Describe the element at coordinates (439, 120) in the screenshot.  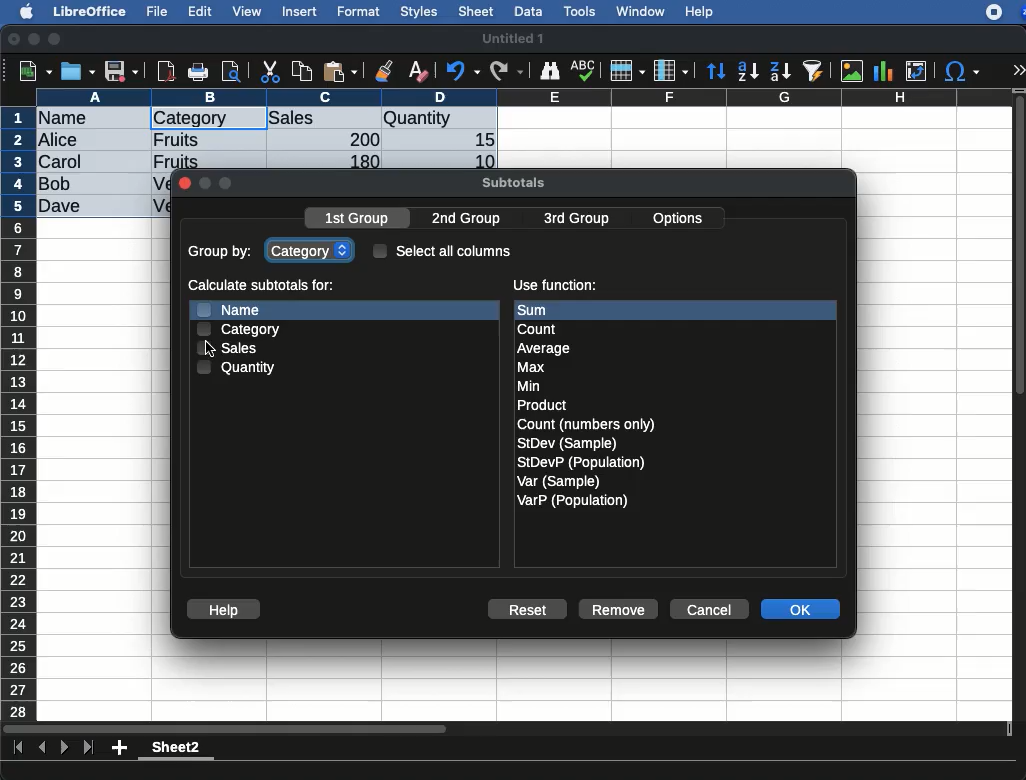
I see `quantity` at that location.